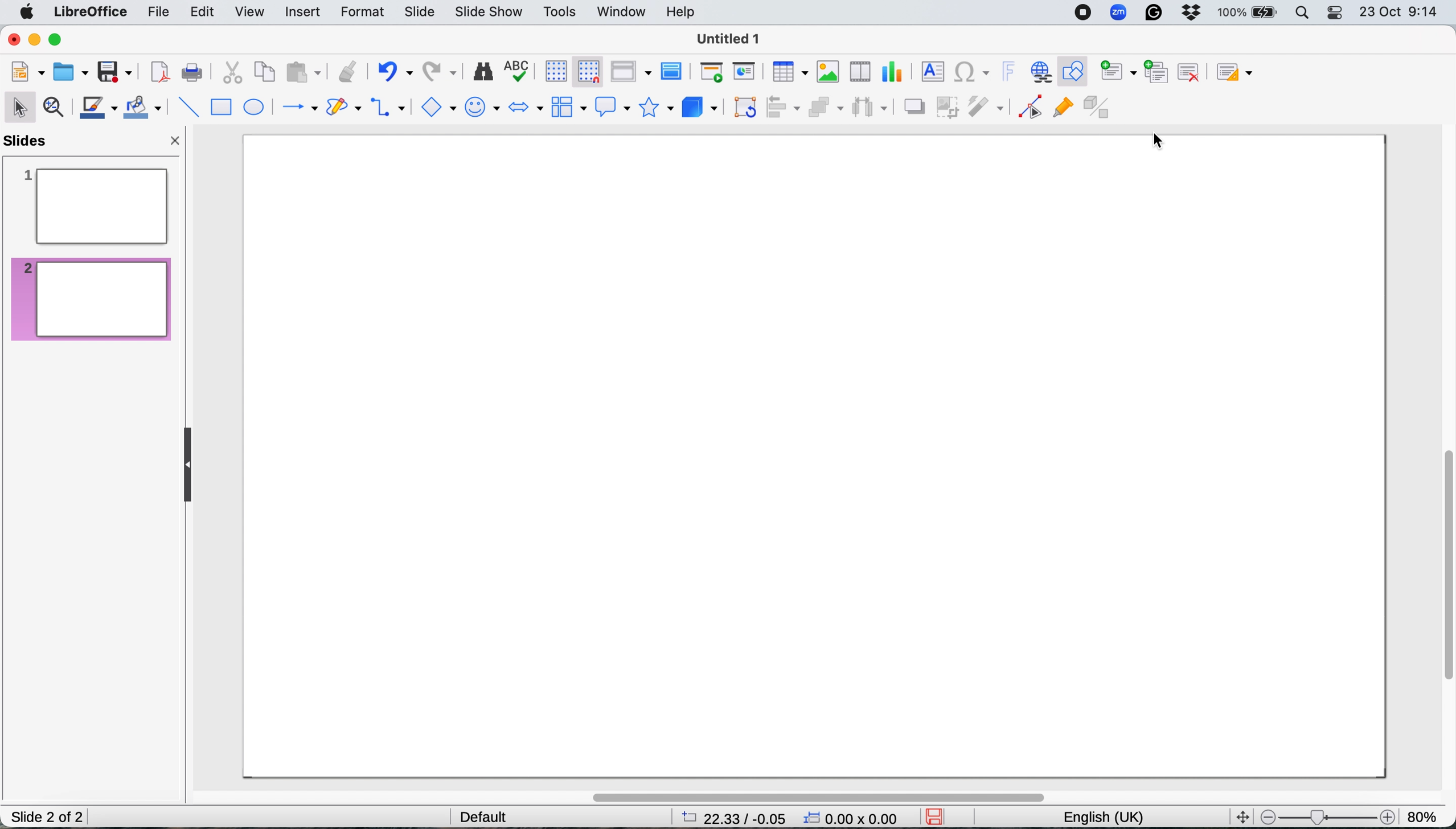  What do you see at coordinates (1162, 140) in the screenshot?
I see `cursor` at bounding box center [1162, 140].